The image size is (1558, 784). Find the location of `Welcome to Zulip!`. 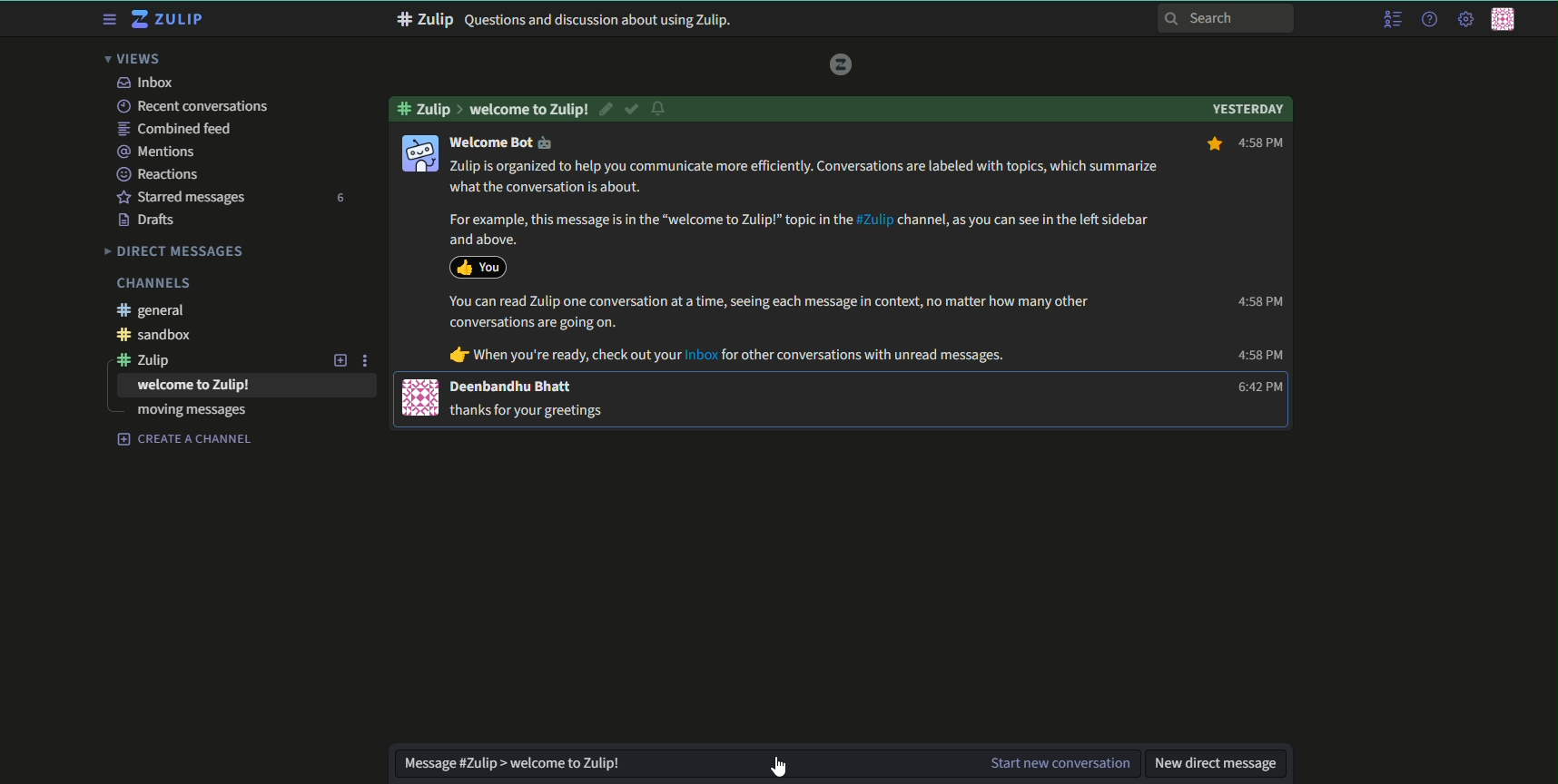

Welcome to Zulip! is located at coordinates (194, 386).